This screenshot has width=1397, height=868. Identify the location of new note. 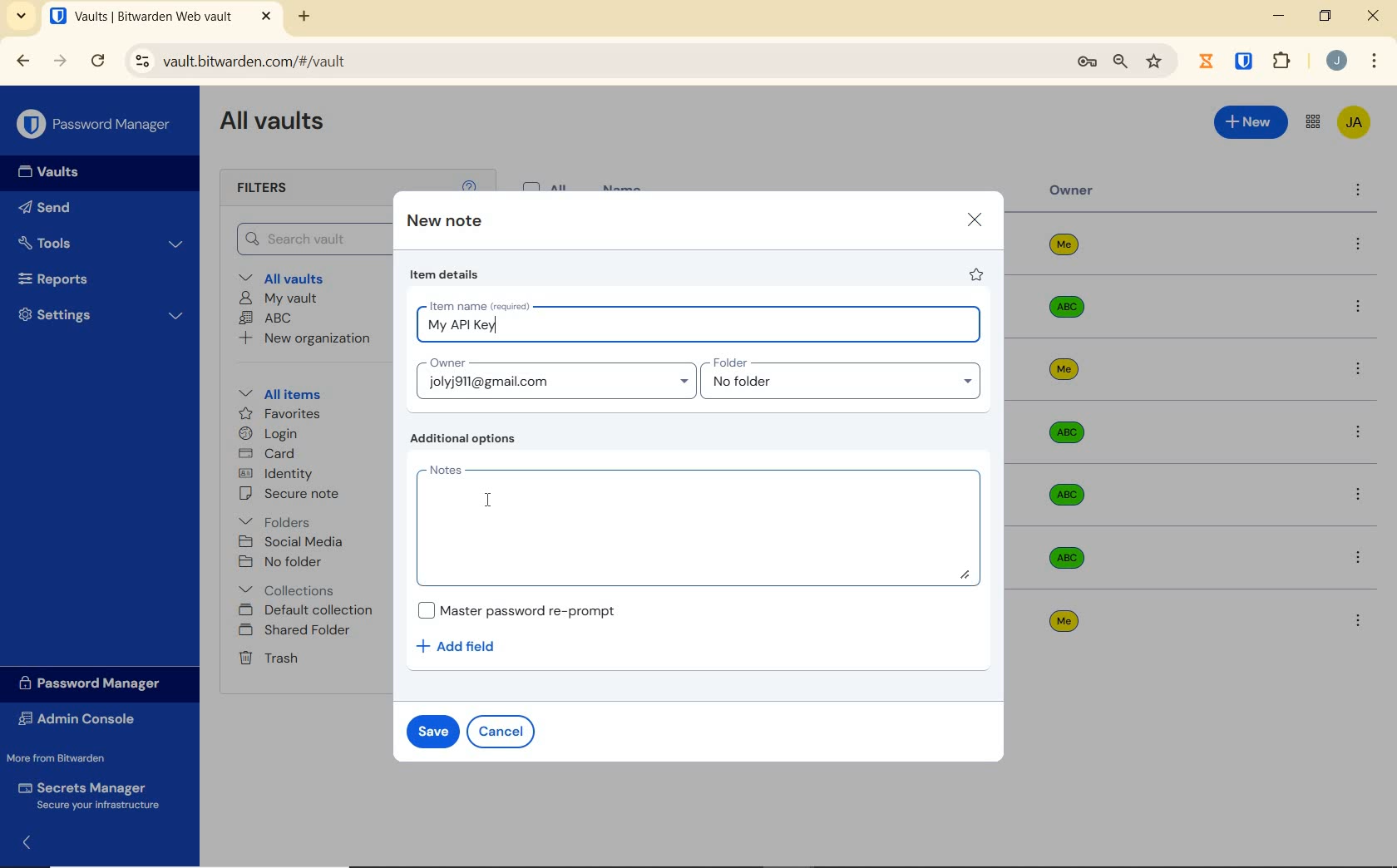
(444, 222).